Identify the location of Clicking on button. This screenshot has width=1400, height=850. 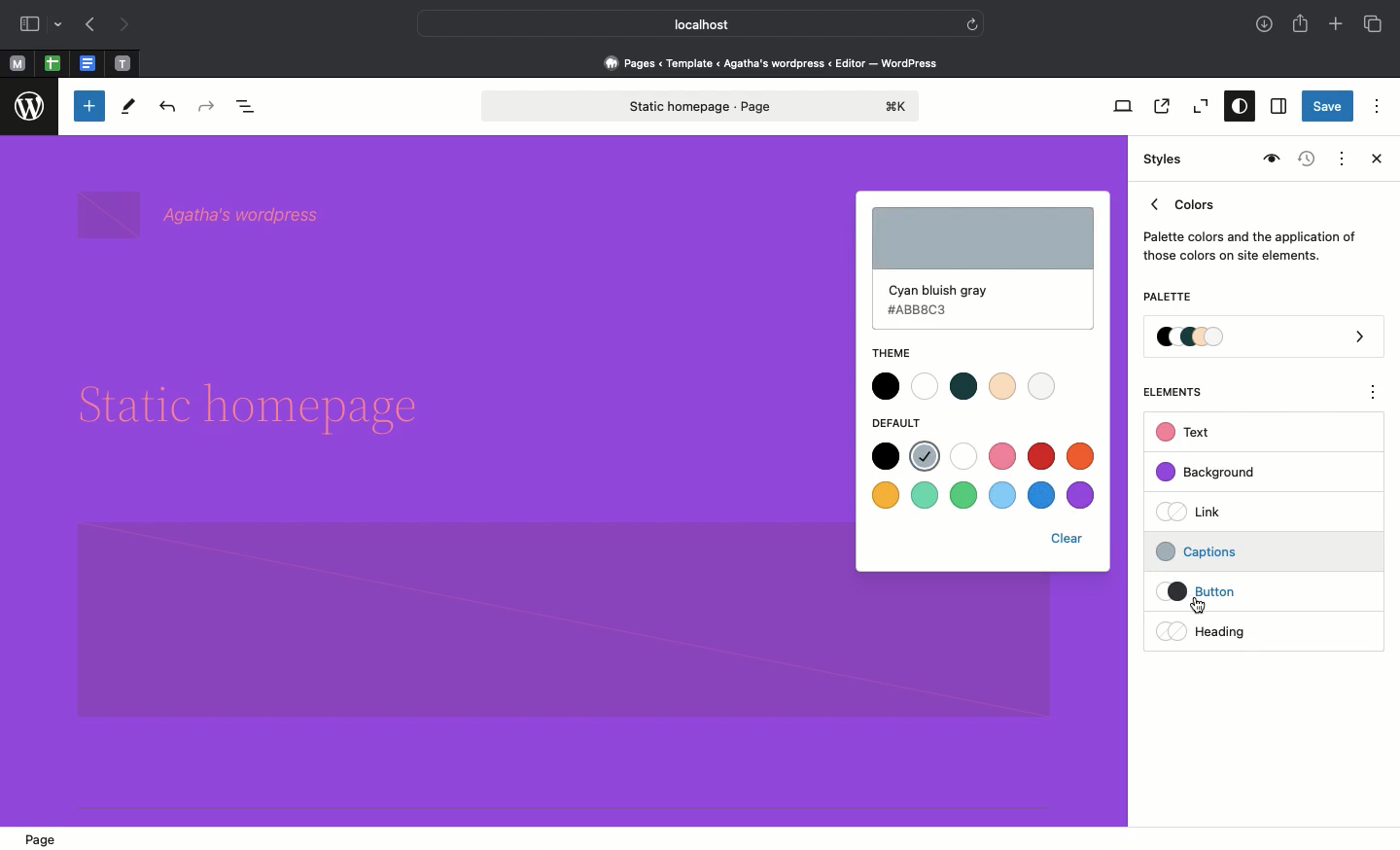
(1235, 592).